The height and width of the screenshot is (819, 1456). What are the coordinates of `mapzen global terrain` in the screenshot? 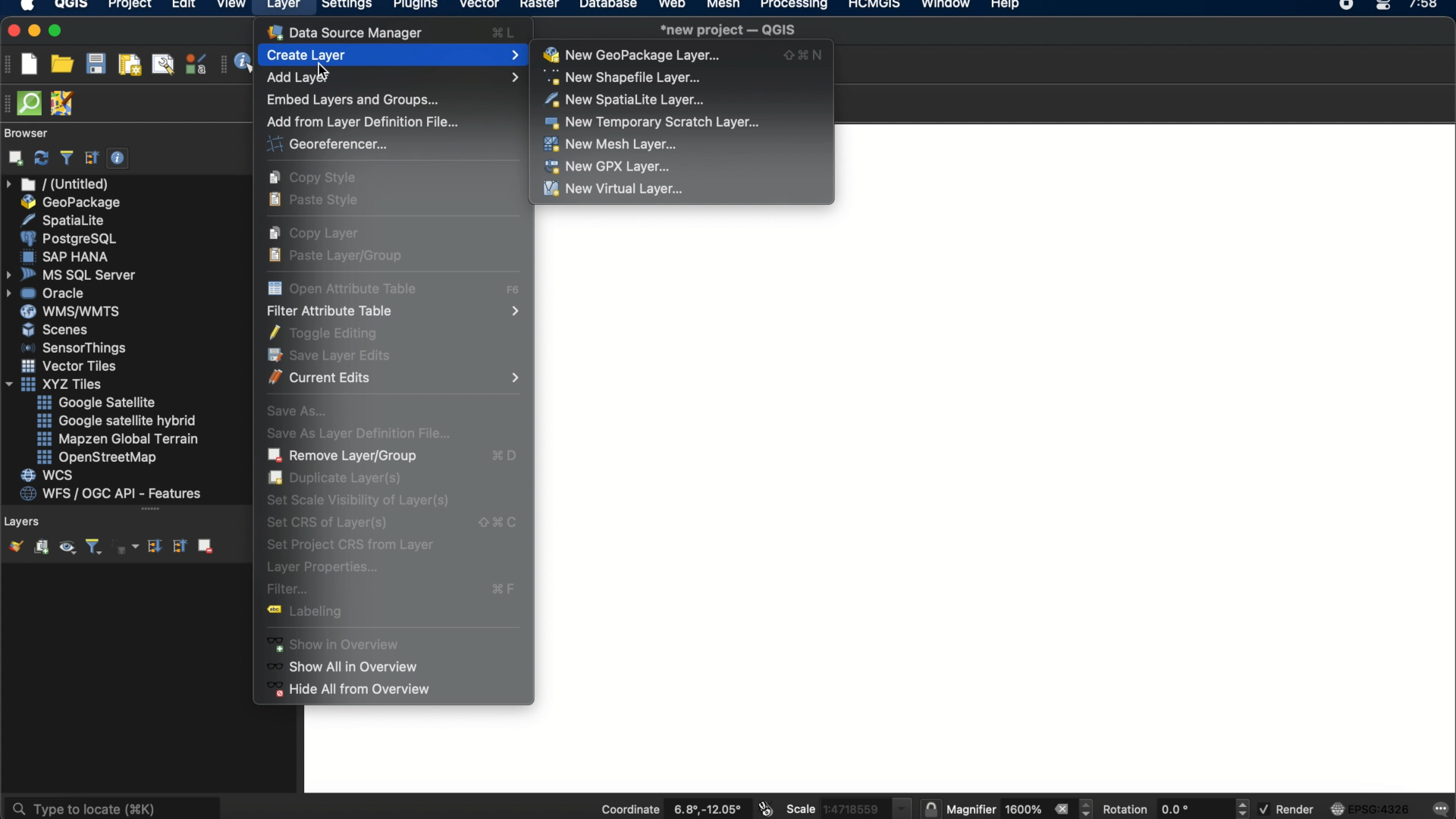 It's located at (118, 439).